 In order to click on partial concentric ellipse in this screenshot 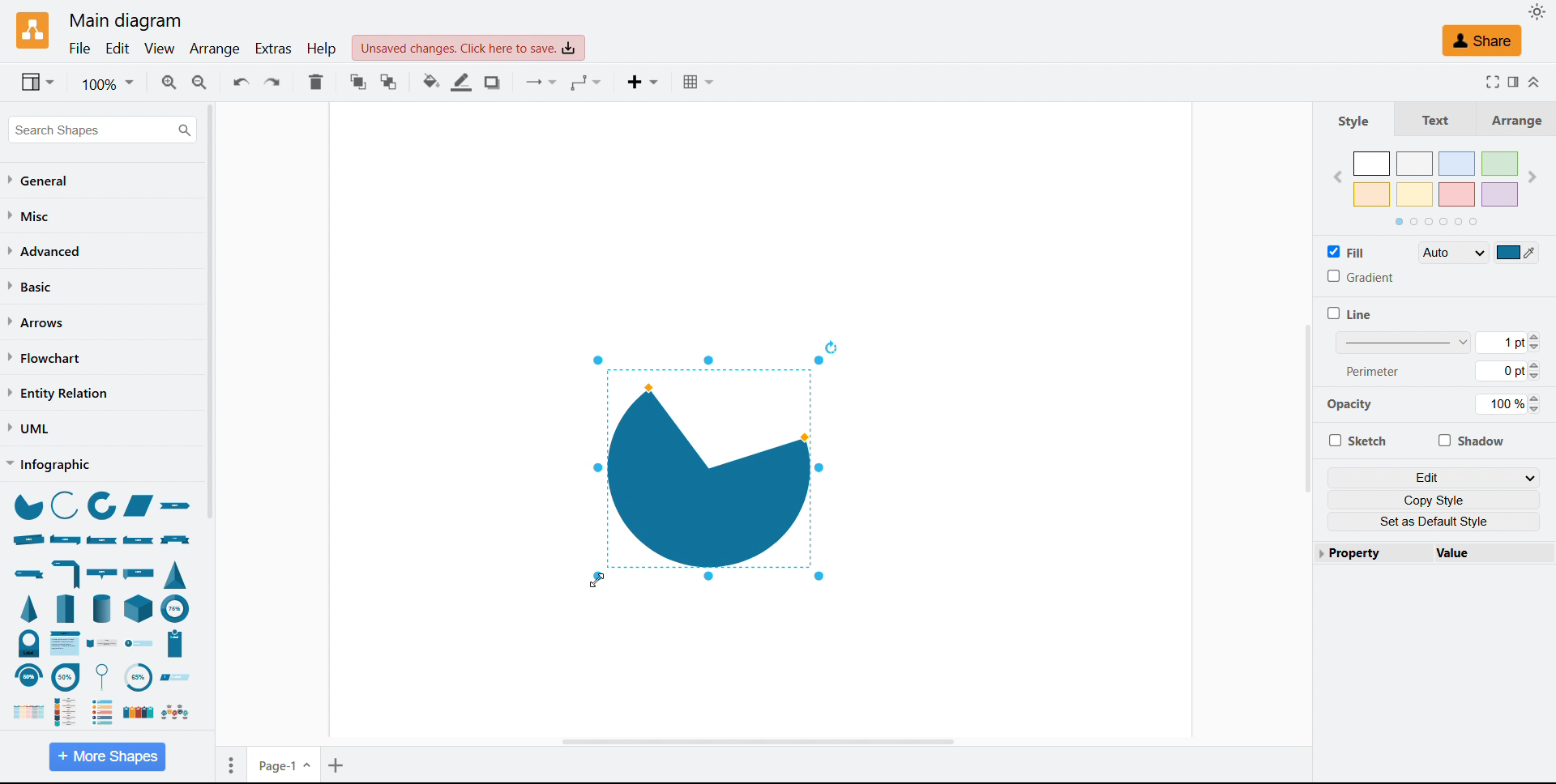, I will do `click(176, 607)`.